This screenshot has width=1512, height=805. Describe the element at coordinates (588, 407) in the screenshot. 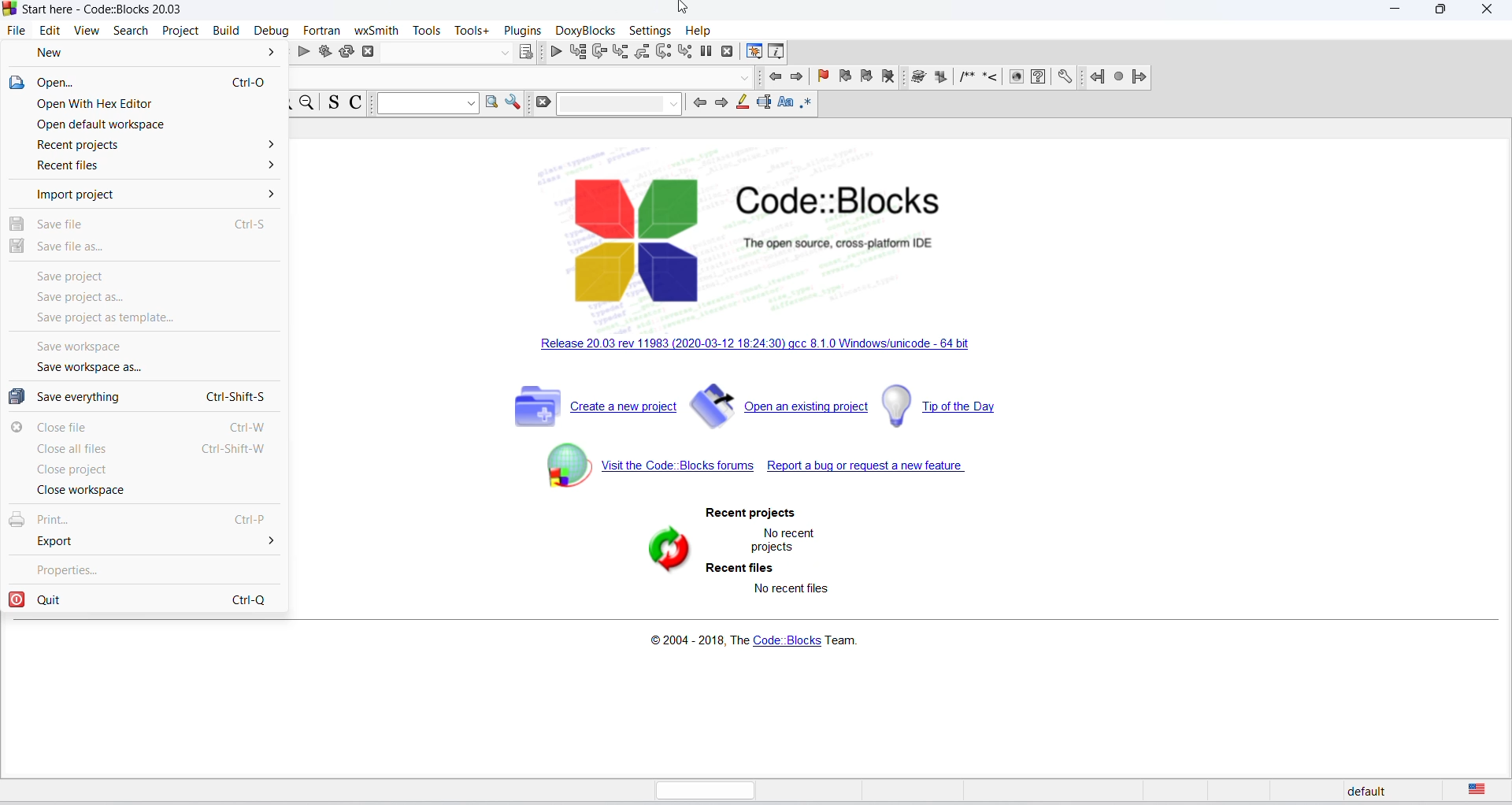

I see `create new project` at that location.